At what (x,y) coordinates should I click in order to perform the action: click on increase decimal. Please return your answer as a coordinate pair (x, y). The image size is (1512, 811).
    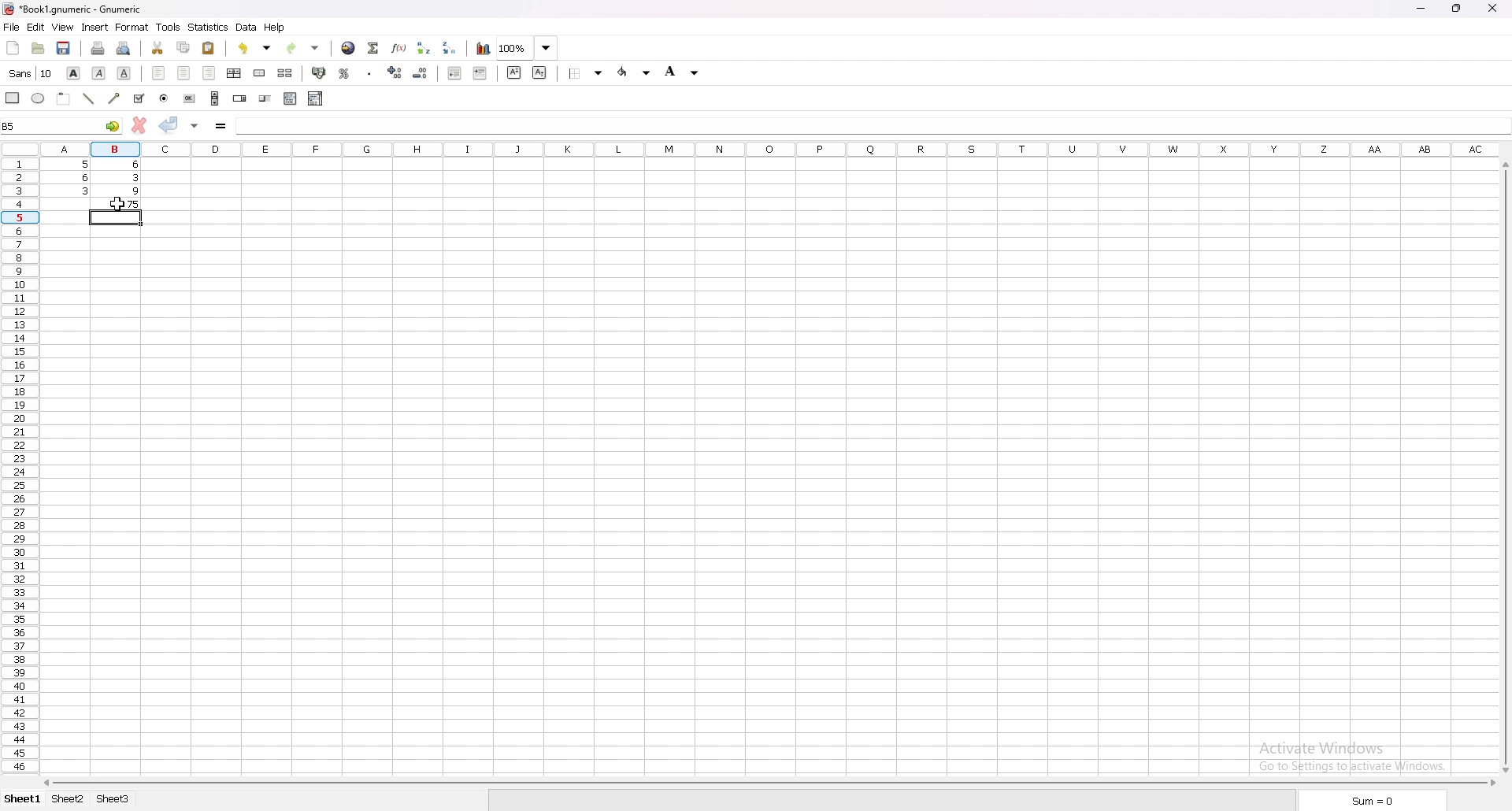
    Looking at the image, I should click on (395, 72).